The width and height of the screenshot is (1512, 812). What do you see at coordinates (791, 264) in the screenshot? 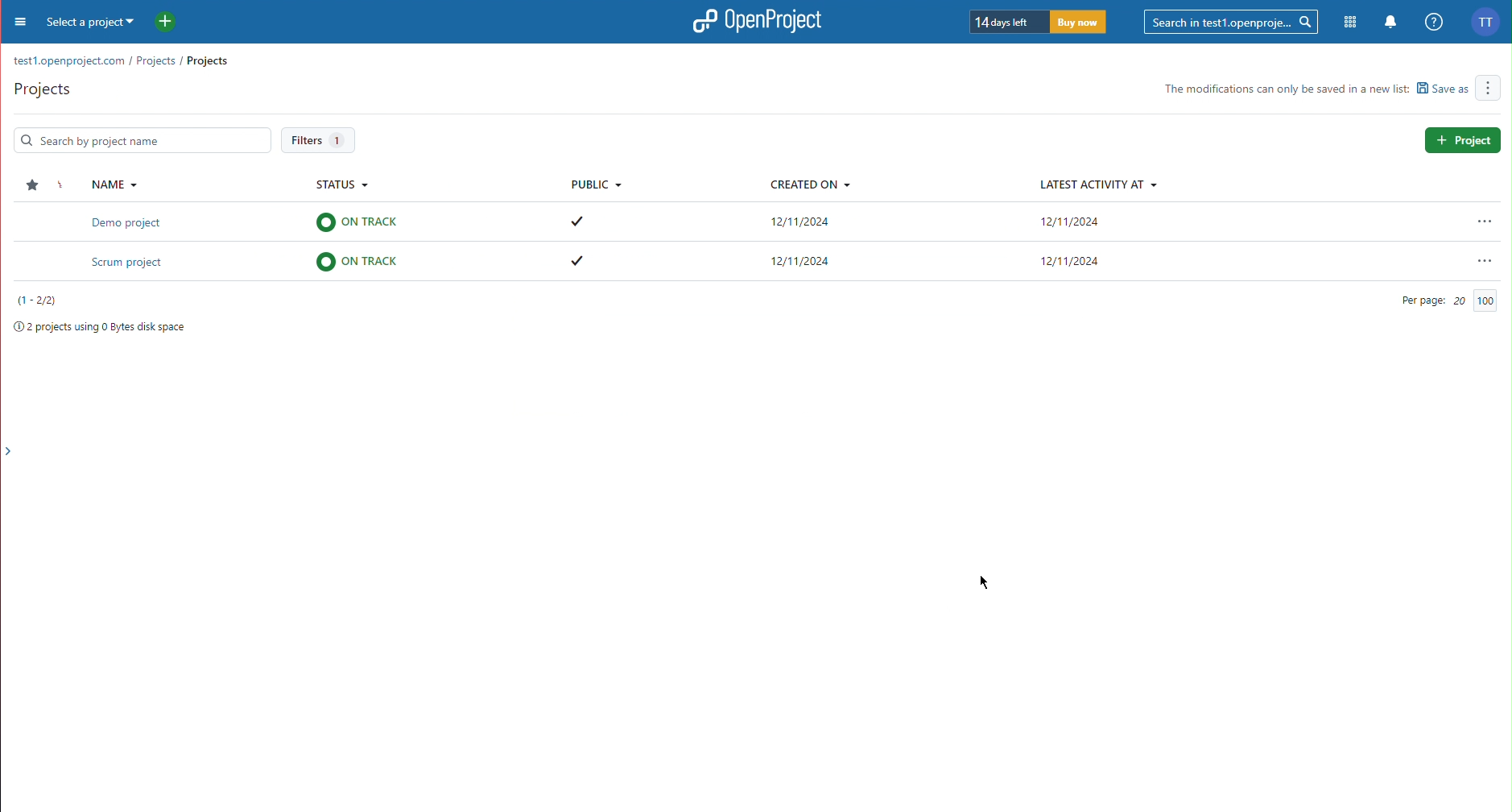
I see `Scrum project` at bounding box center [791, 264].